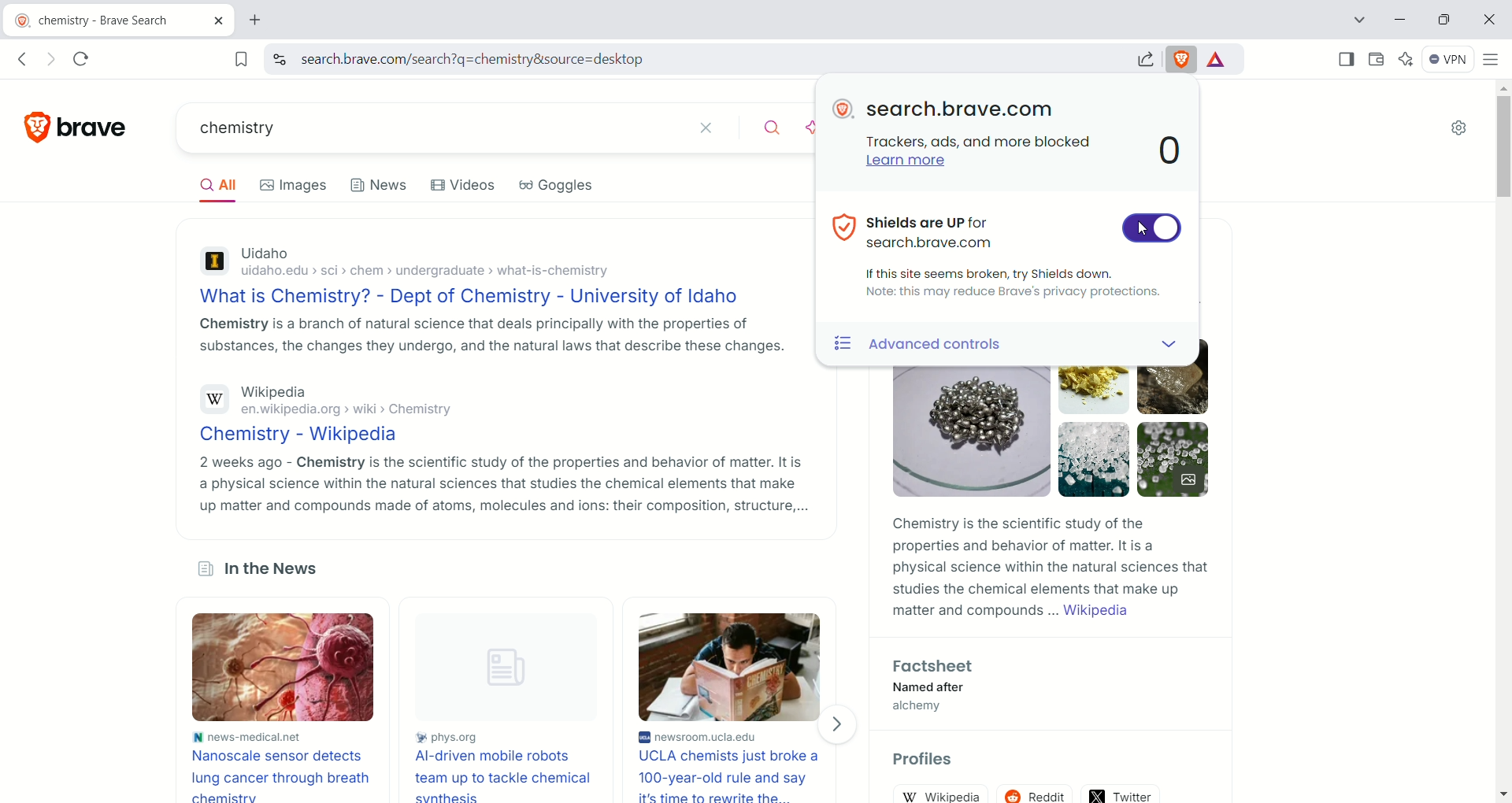 Image resolution: width=1512 pixels, height=803 pixels. What do you see at coordinates (380, 183) in the screenshot?
I see `News` at bounding box center [380, 183].